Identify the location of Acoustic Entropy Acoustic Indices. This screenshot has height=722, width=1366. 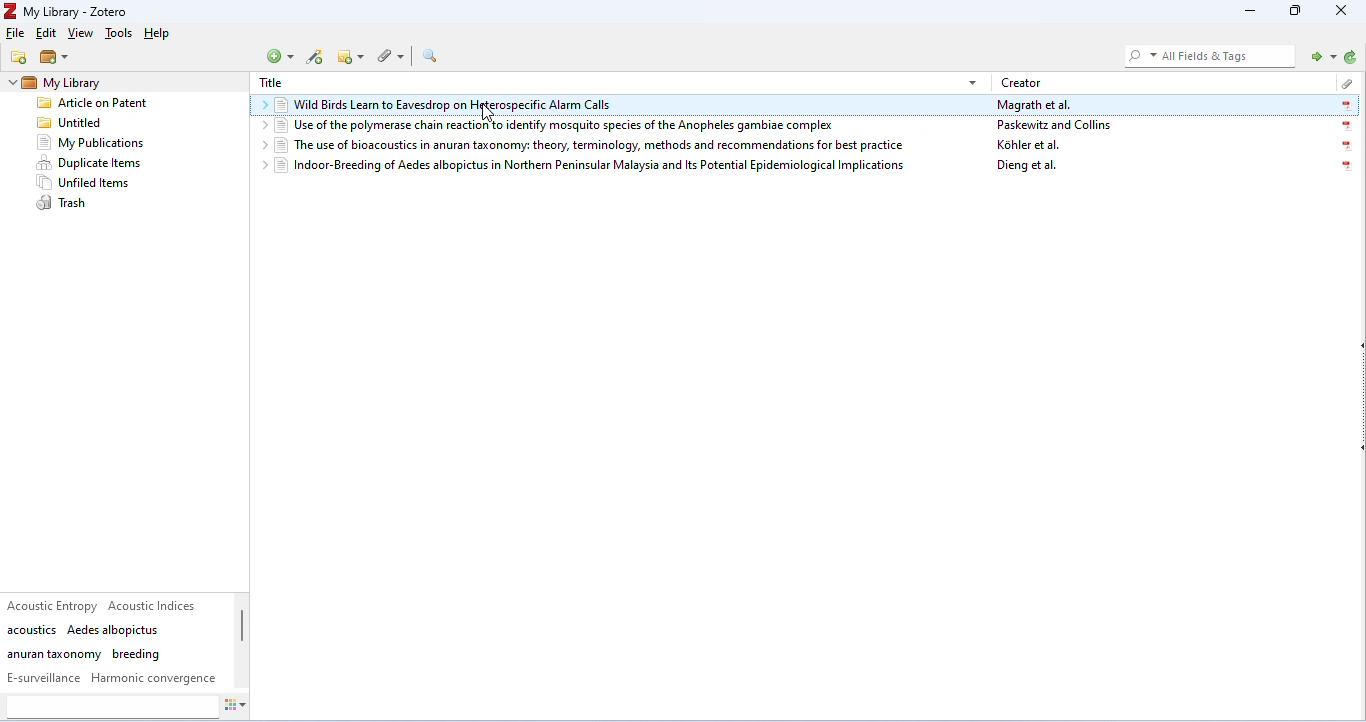
(105, 605).